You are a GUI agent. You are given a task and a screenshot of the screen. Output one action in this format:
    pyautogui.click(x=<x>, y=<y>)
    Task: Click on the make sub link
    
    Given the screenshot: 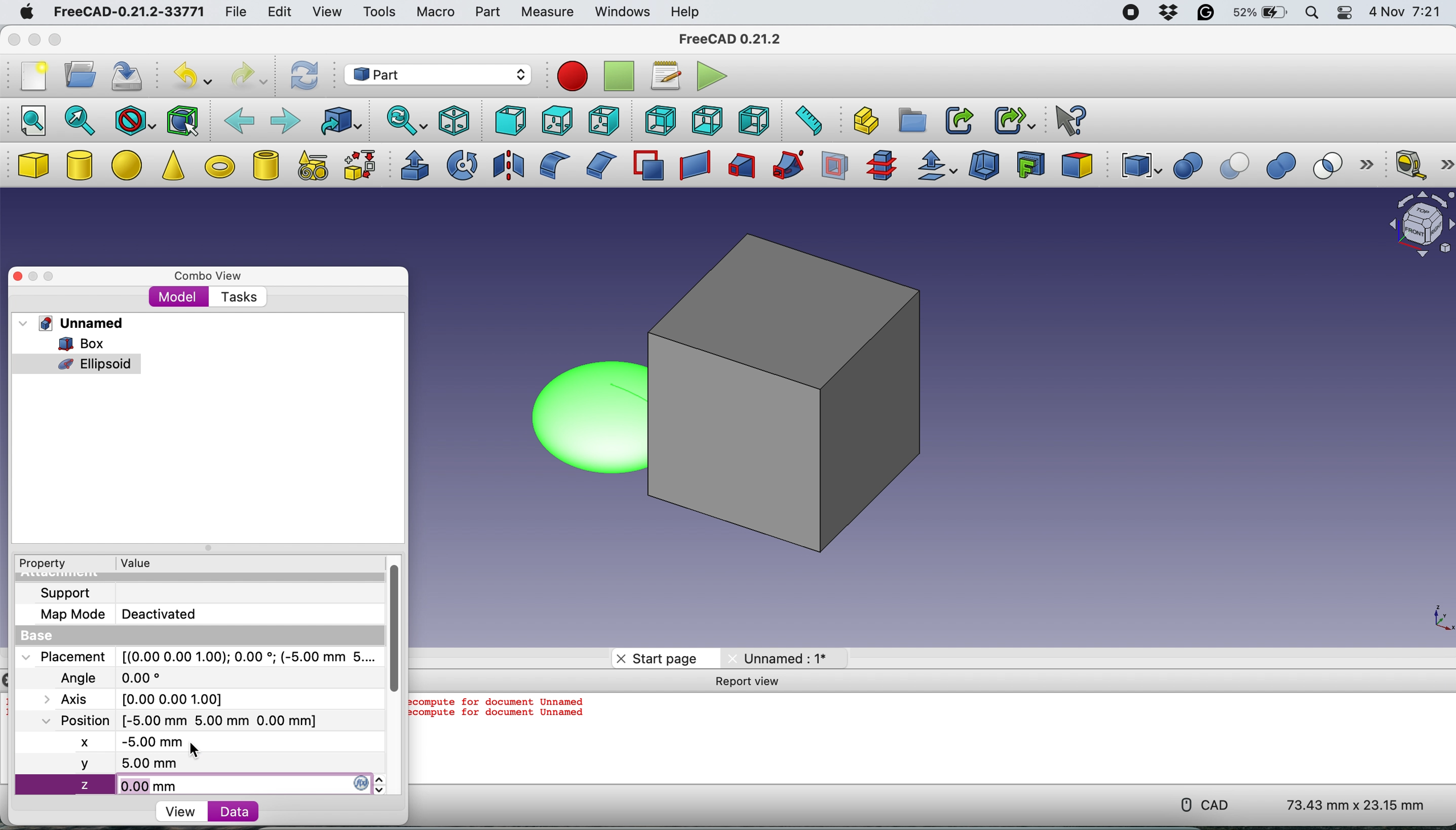 What is the action you would take?
    pyautogui.click(x=1015, y=119)
    